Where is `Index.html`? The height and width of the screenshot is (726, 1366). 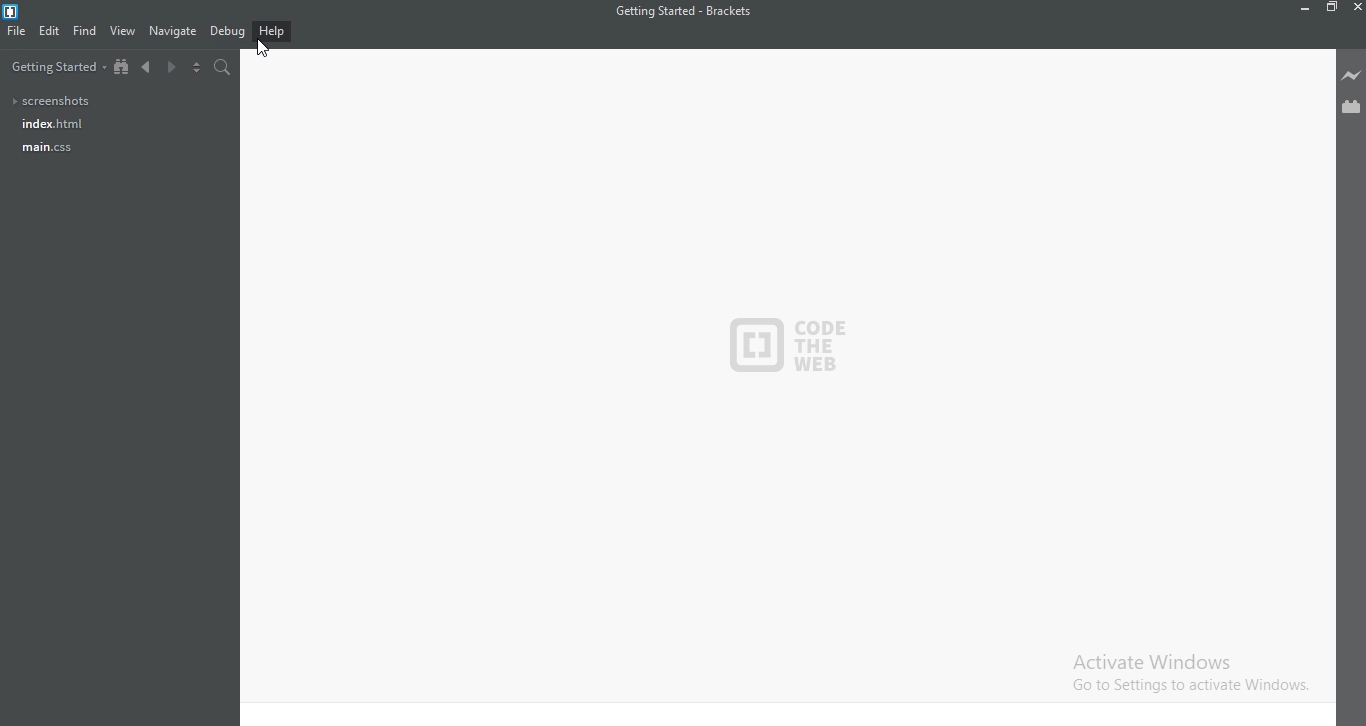
Index.html is located at coordinates (59, 125).